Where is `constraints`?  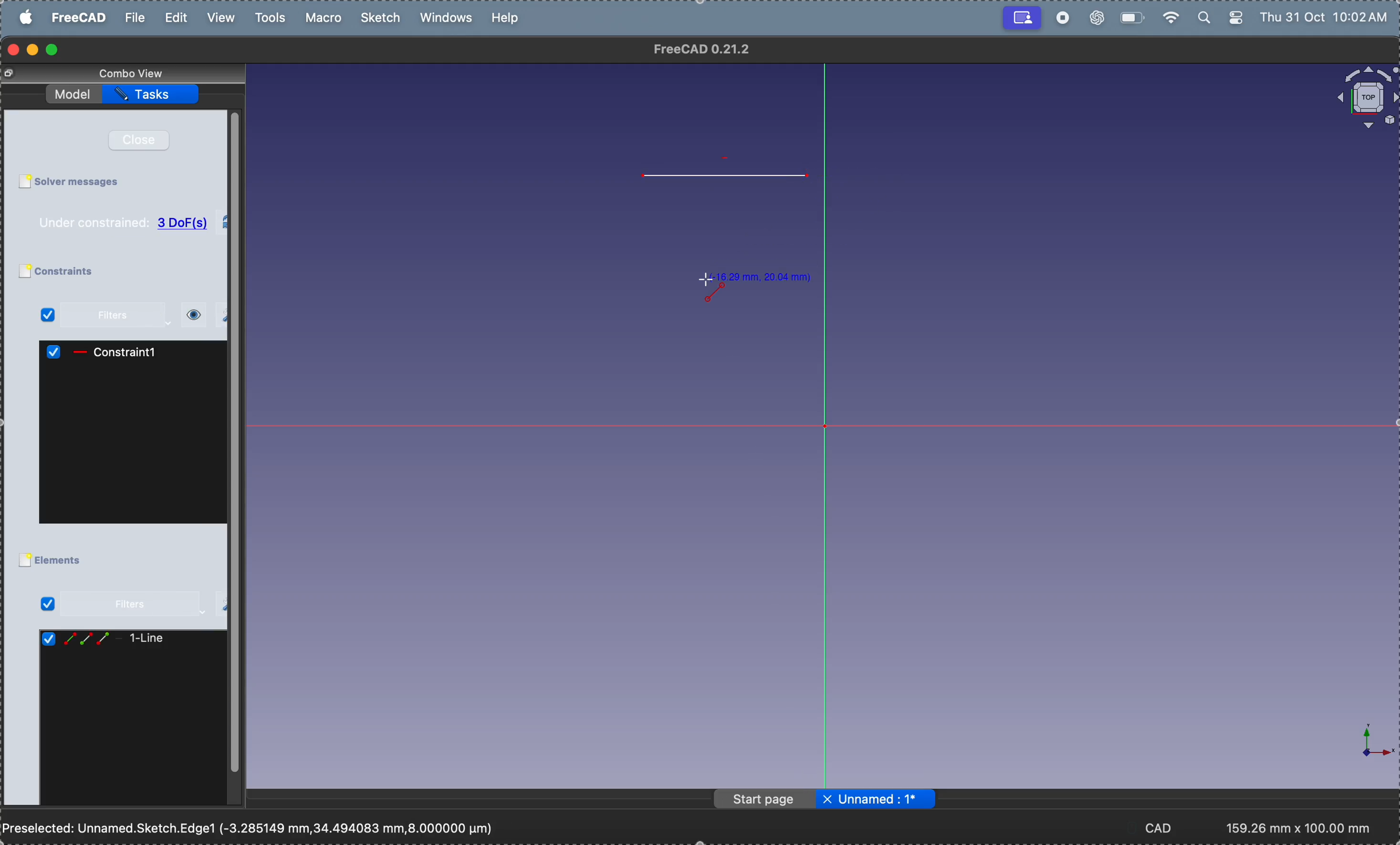 constraints is located at coordinates (79, 272).